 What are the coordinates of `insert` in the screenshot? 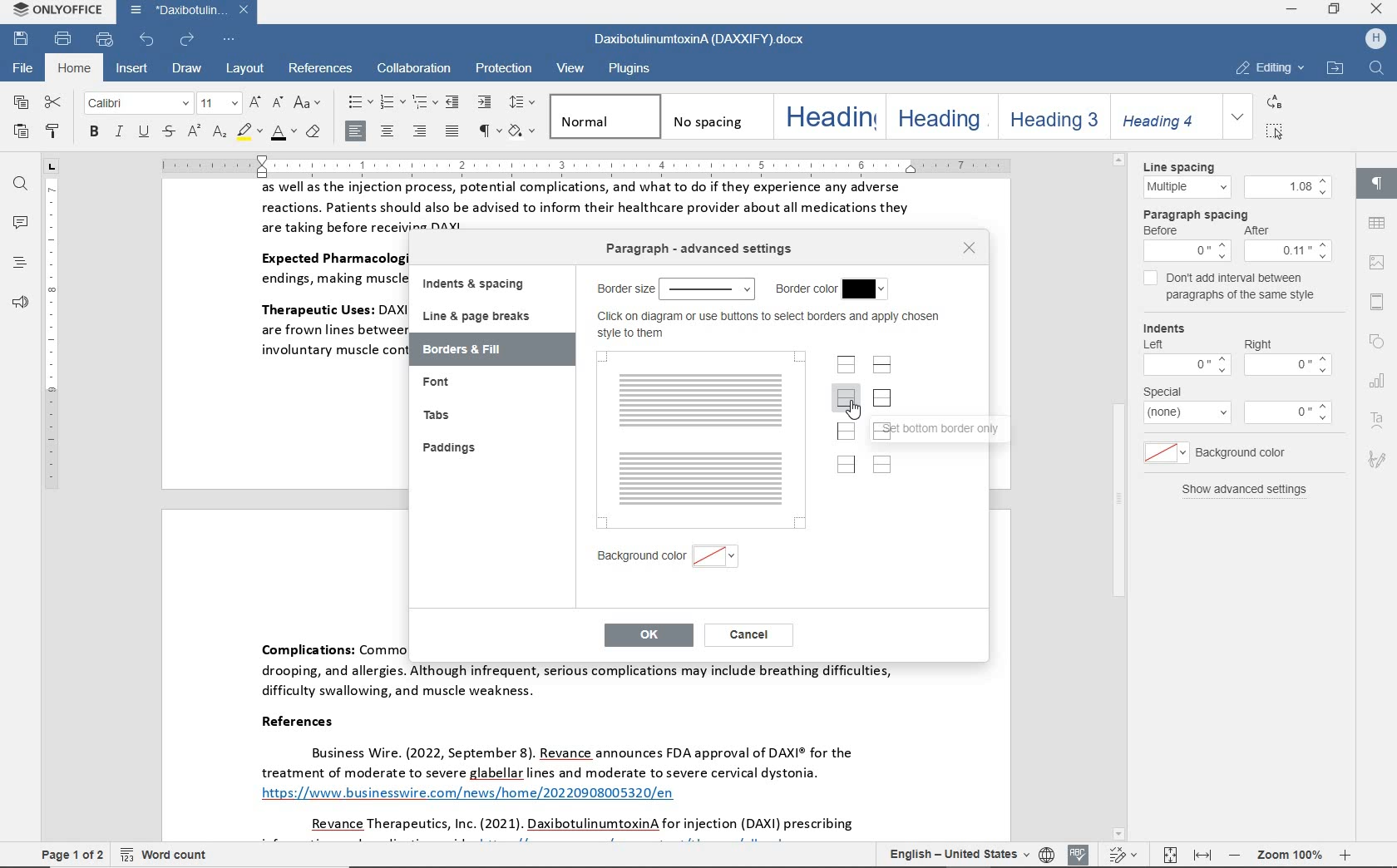 It's located at (134, 69).